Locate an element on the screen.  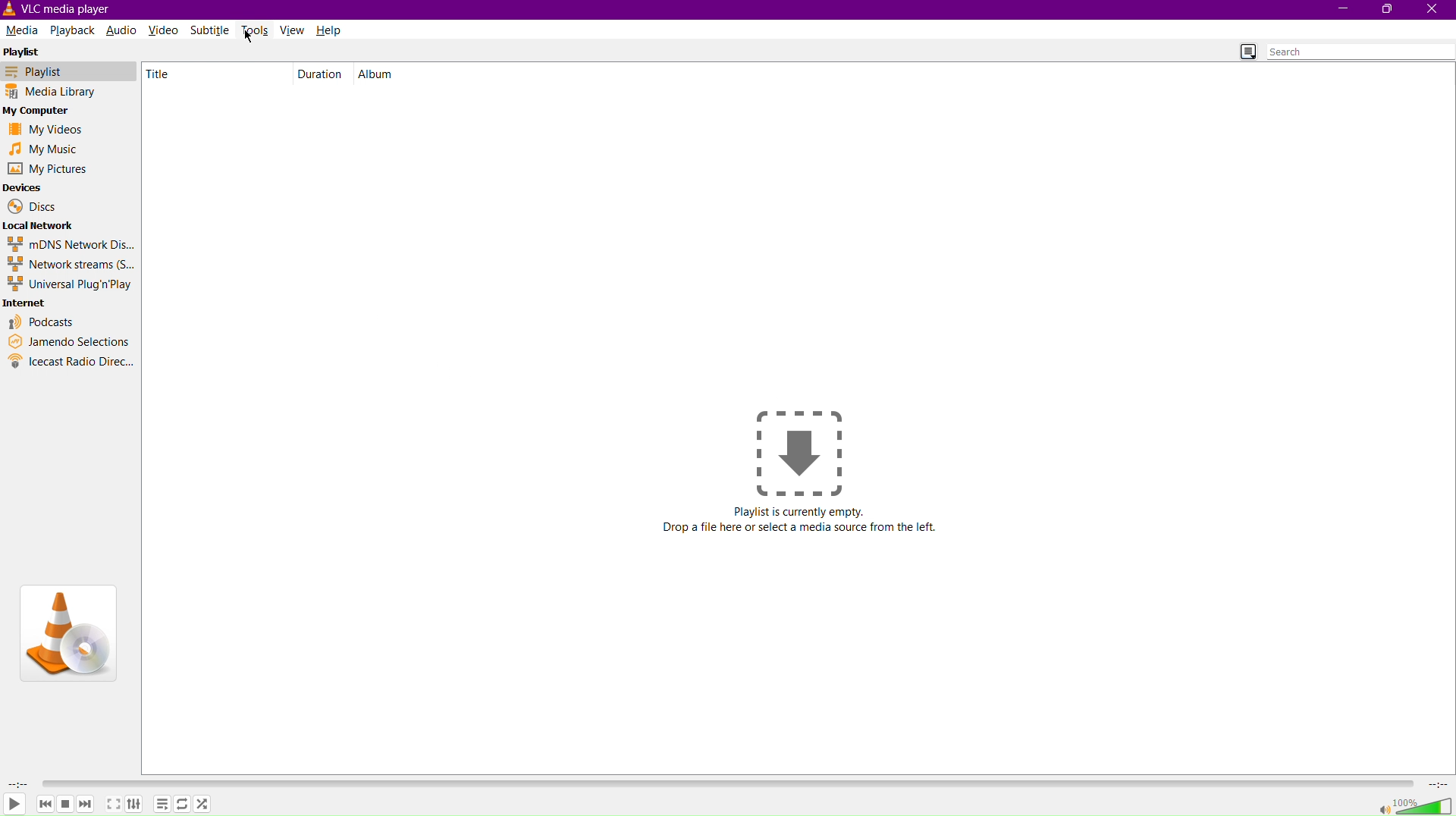
VLC Logo is located at coordinates (71, 626).